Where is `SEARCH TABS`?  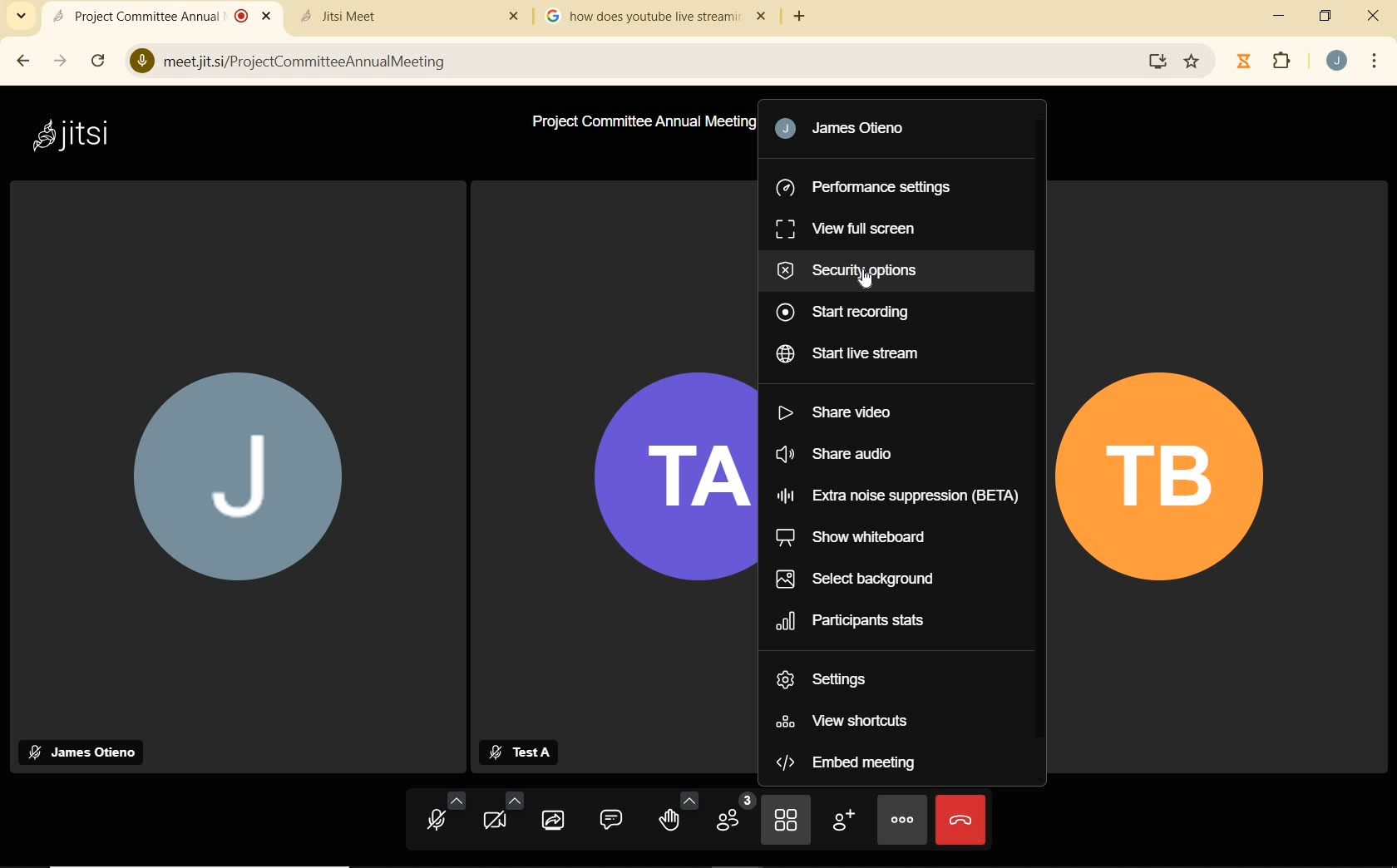 SEARCH TABS is located at coordinates (22, 16).